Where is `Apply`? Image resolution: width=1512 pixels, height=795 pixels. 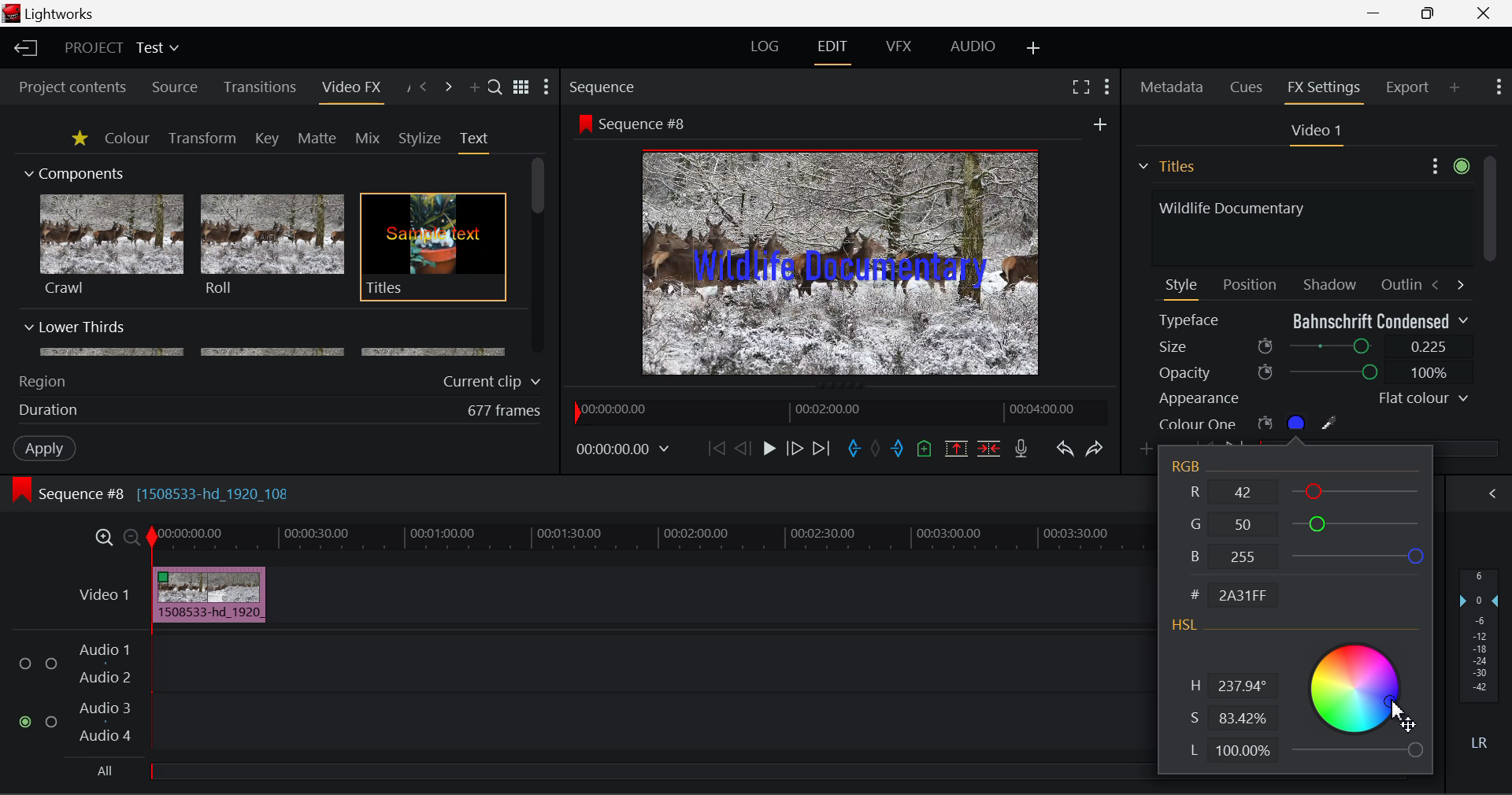
Apply is located at coordinates (46, 447).